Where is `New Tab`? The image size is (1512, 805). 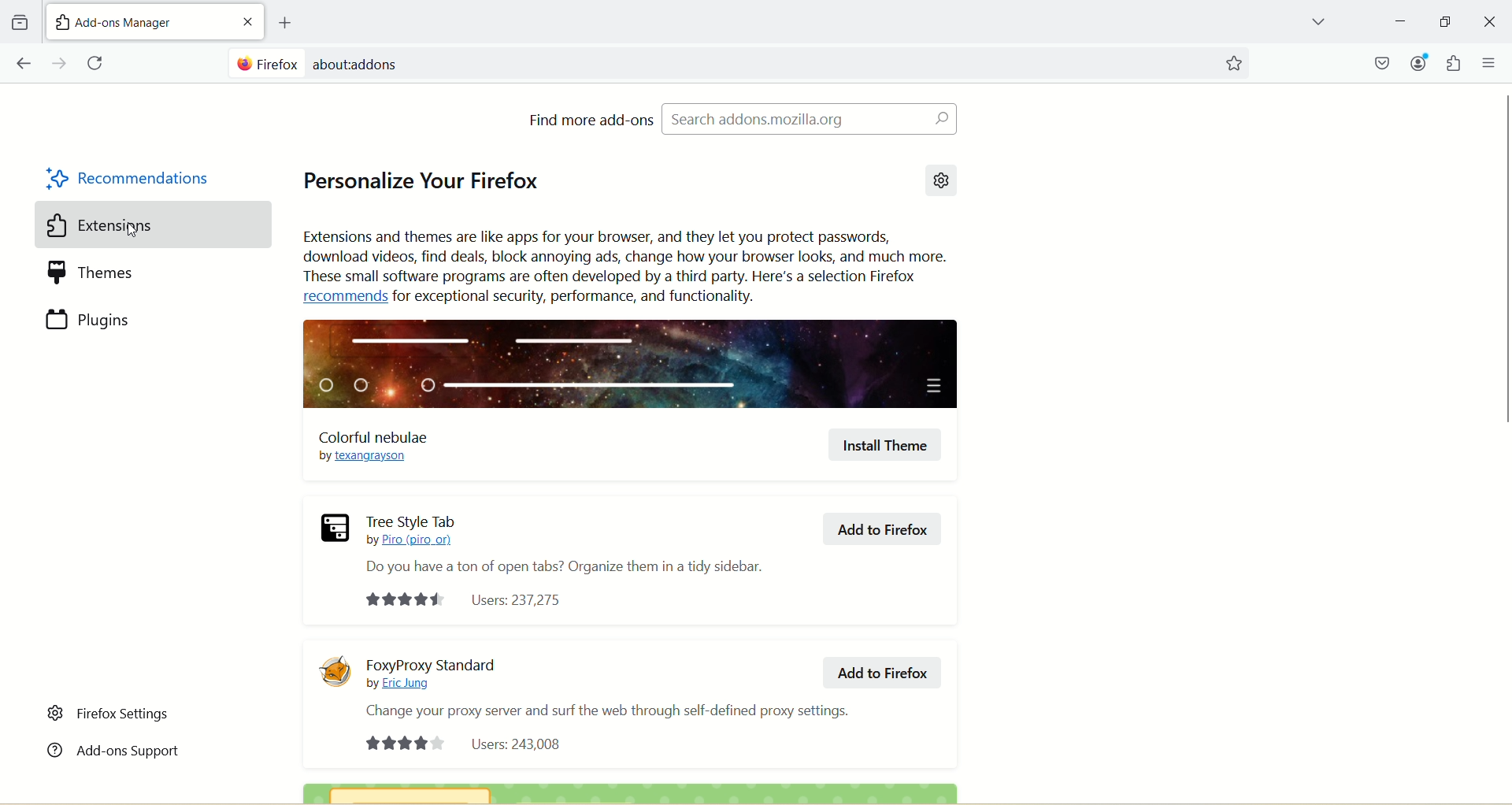 New Tab is located at coordinates (136, 20).